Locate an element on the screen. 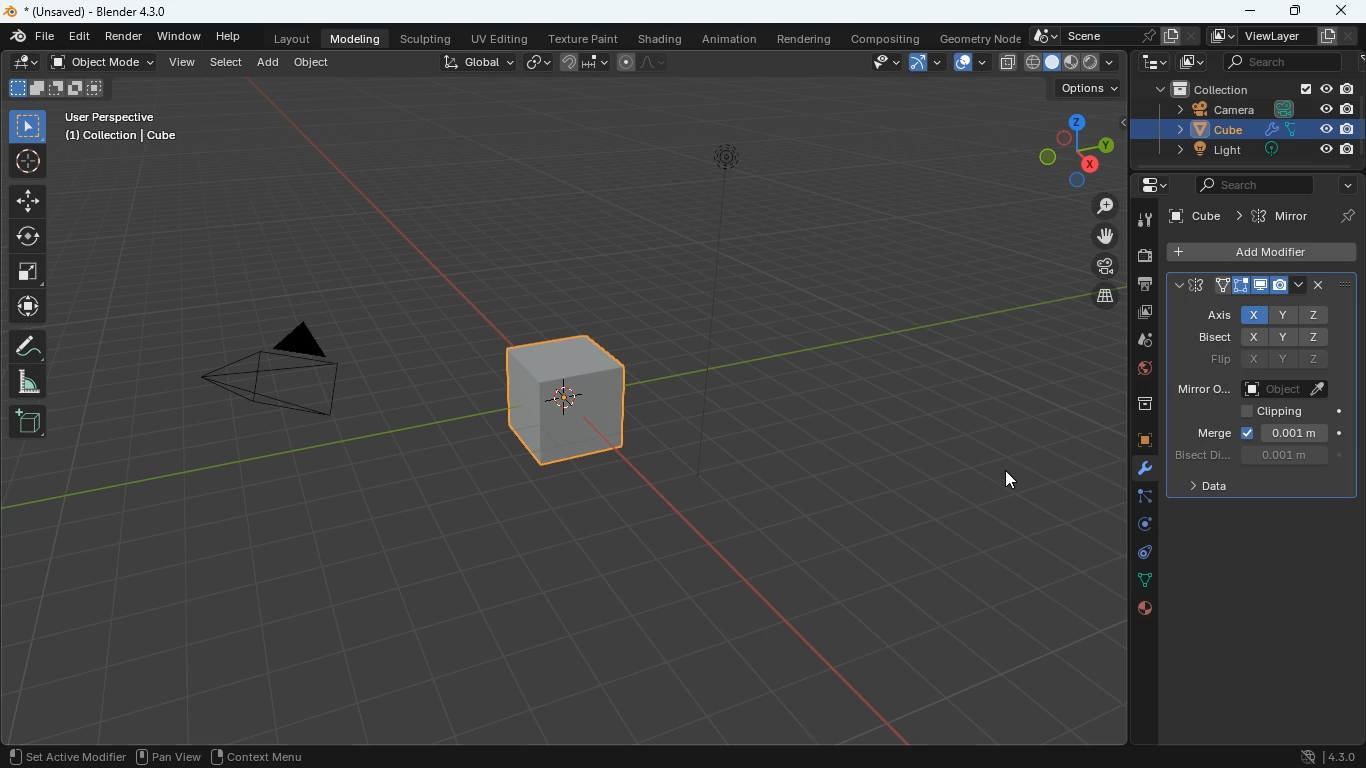  aim is located at coordinates (29, 162).